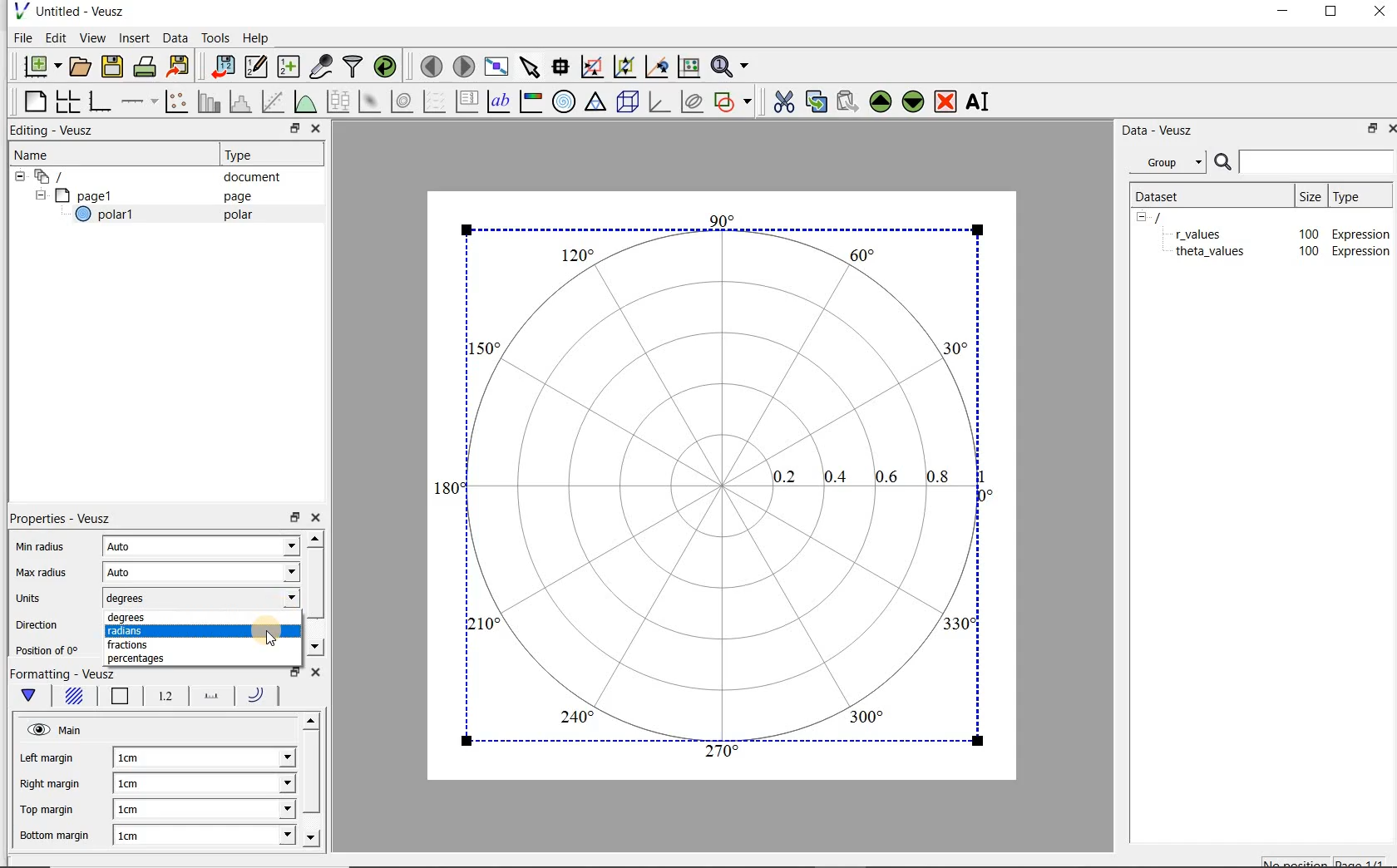  What do you see at coordinates (1366, 861) in the screenshot?
I see `page1/1` at bounding box center [1366, 861].